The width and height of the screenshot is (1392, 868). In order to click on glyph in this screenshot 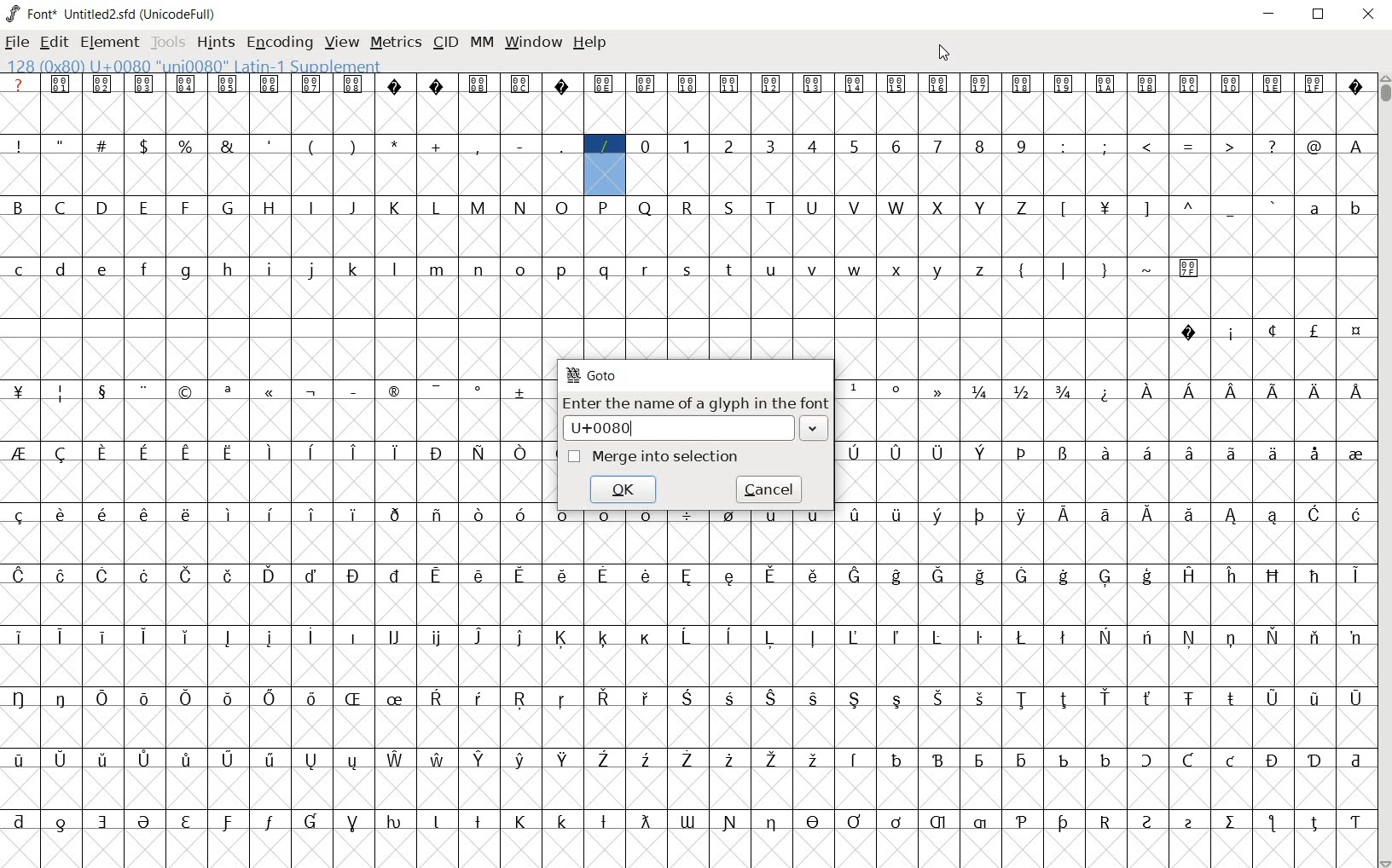, I will do `click(1106, 84)`.